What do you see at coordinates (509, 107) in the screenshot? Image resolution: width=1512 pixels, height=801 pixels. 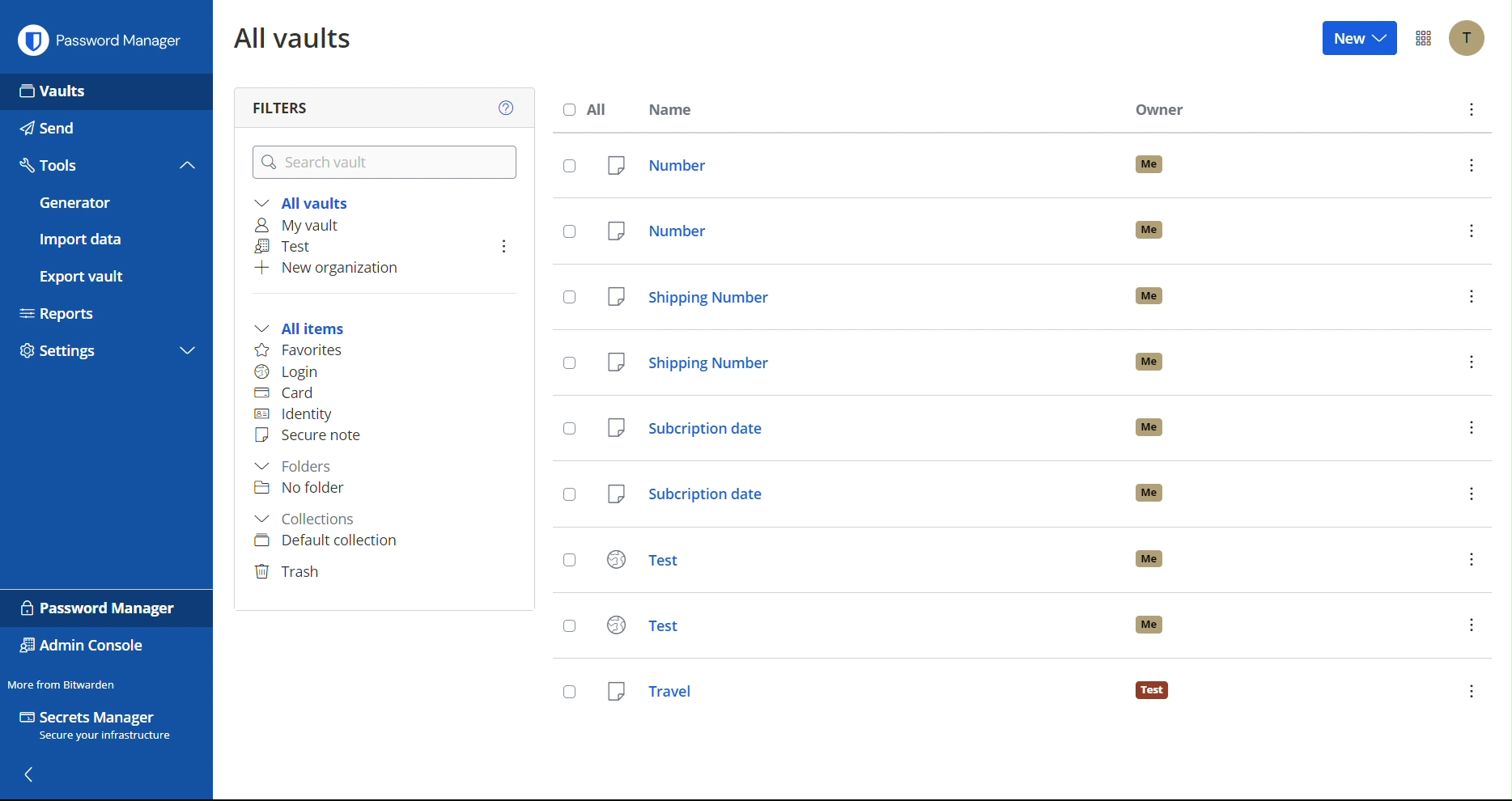 I see `Help` at bounding box center [509, 107].